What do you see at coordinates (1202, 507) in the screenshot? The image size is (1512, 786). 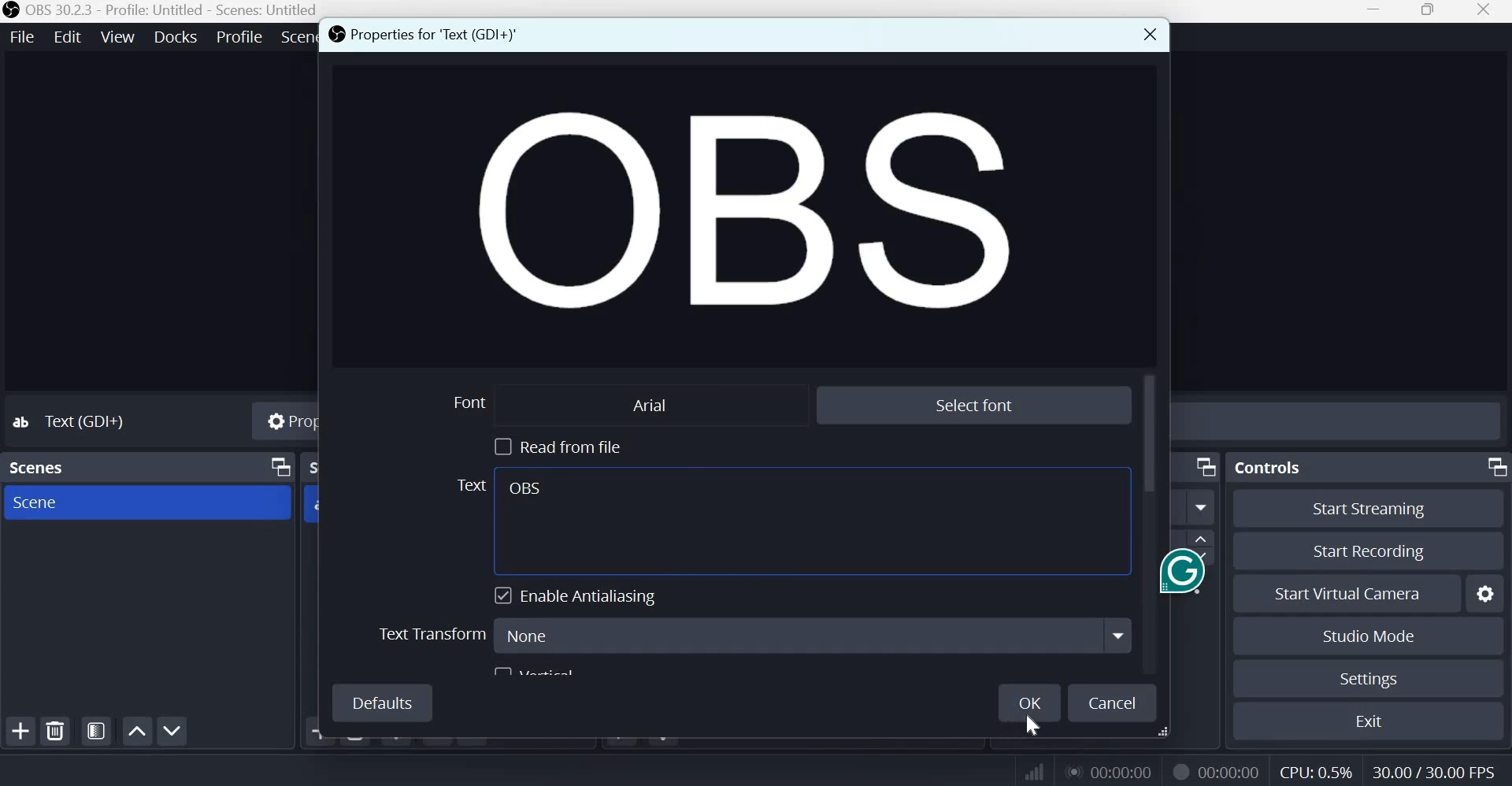 I see `More option` at bounding box center [1202, 507].